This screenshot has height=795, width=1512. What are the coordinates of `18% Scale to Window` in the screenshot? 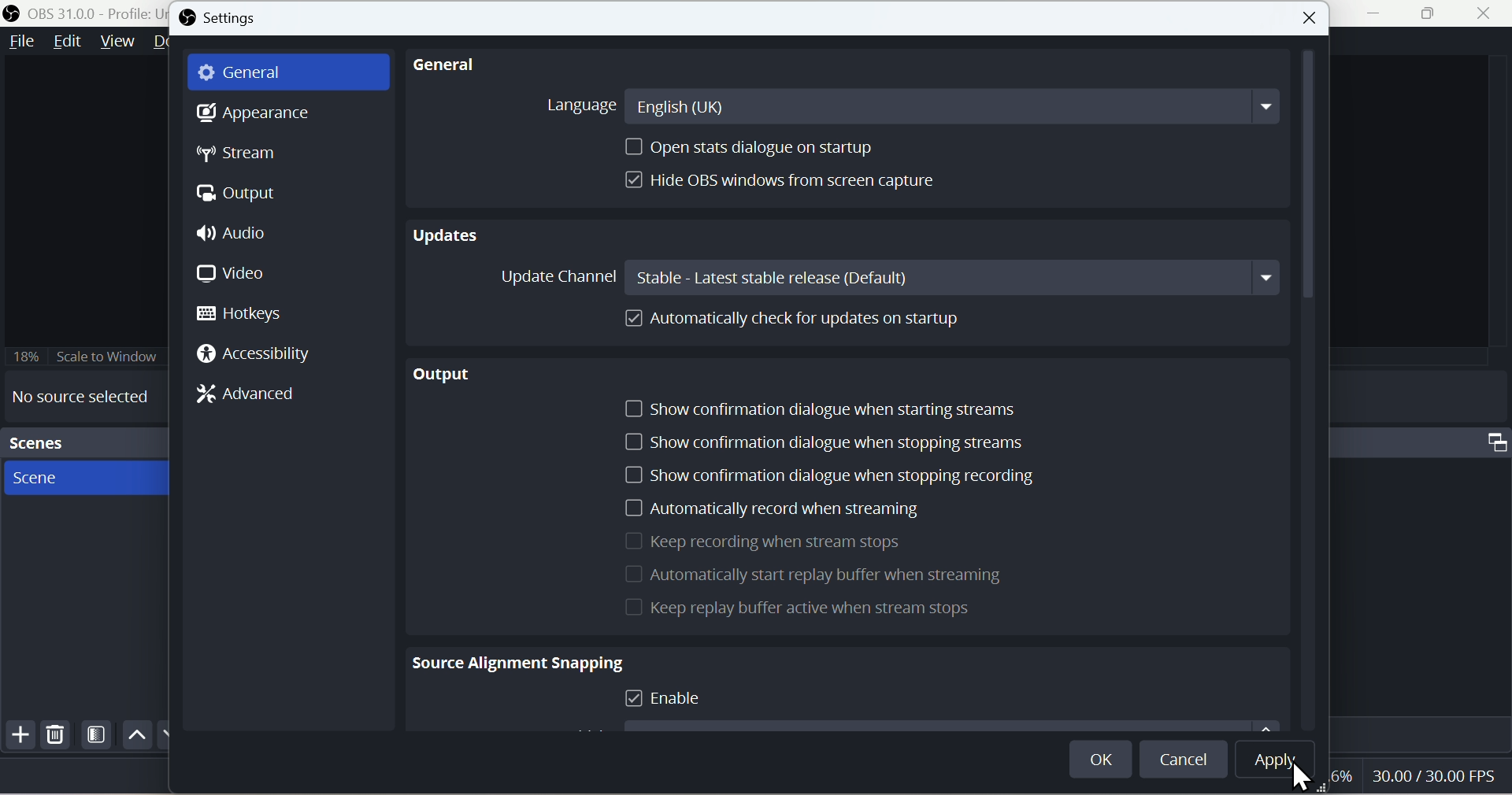 It's located at (112, 355).